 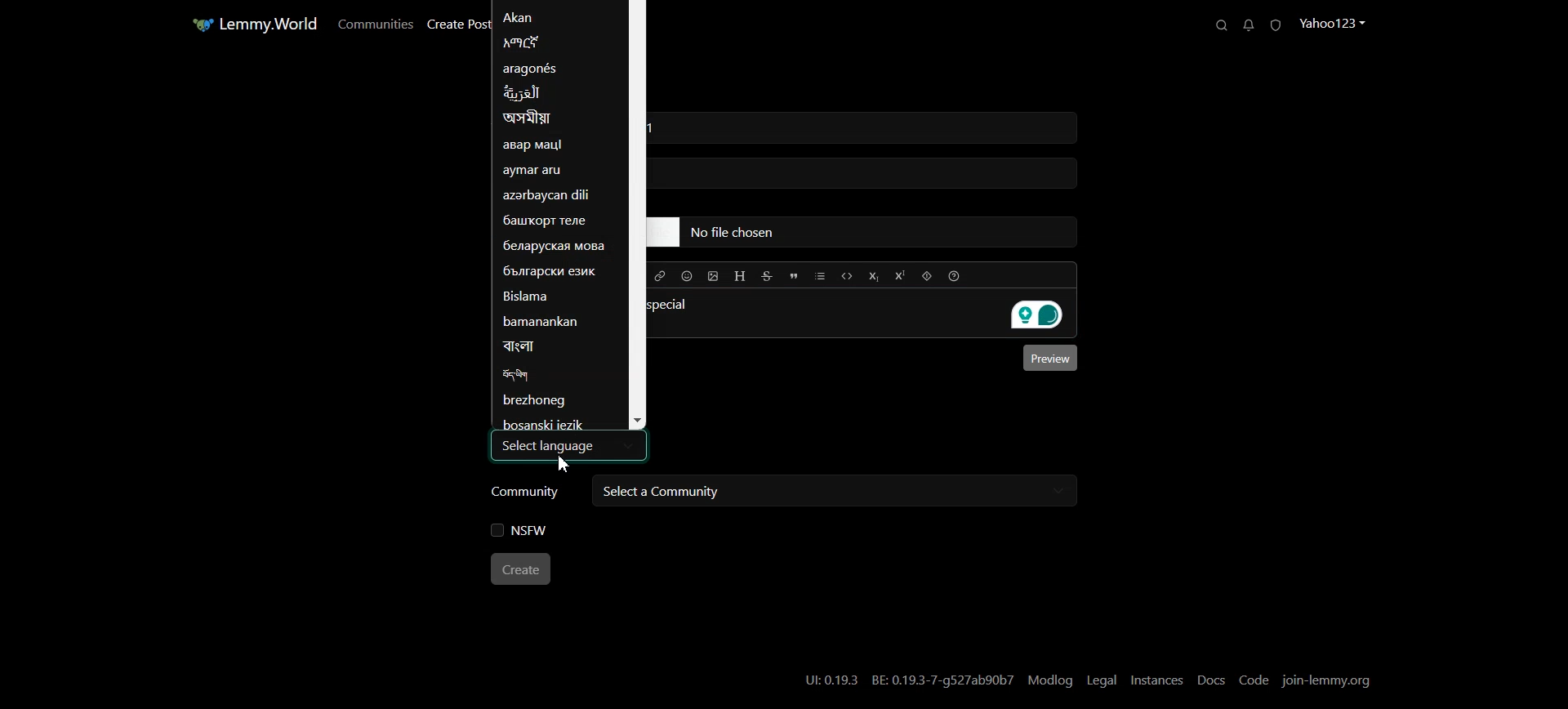 I want to click on Communities, so click(x=373, y=24).